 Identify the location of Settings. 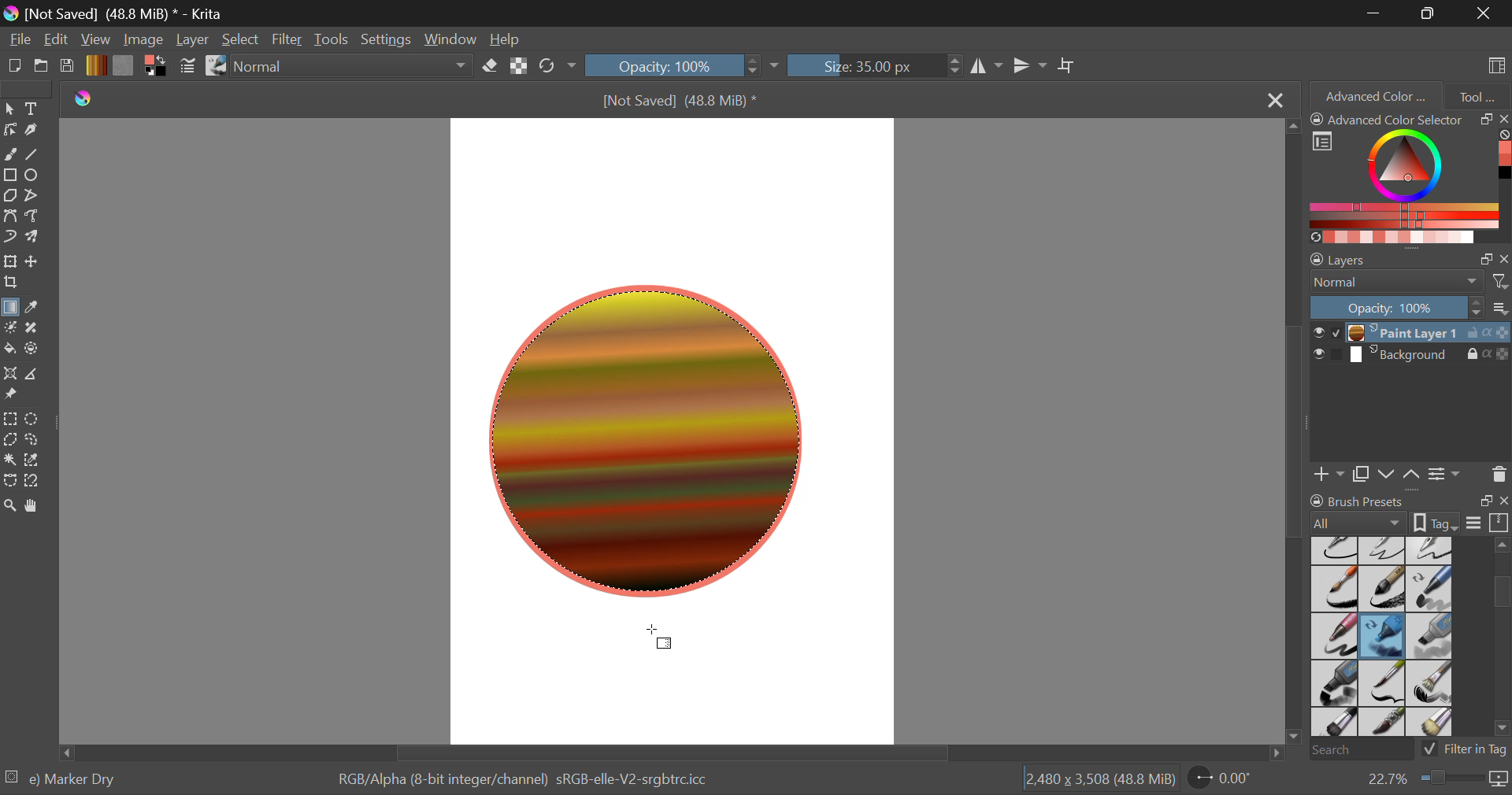
(390, 39).